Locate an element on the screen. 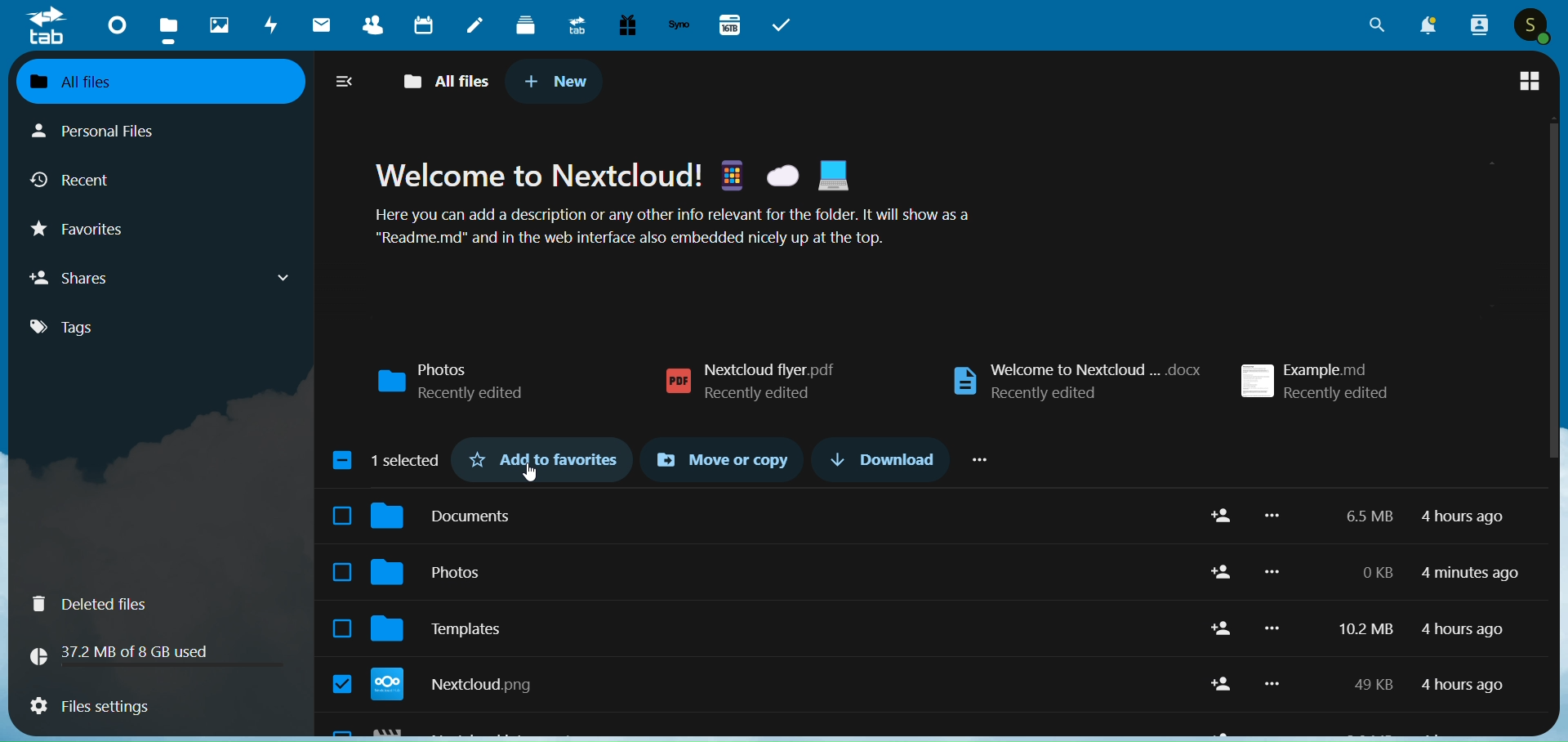 The height and width of the screenshot is (742, 1568). search is located at coordinates (1370, 26).